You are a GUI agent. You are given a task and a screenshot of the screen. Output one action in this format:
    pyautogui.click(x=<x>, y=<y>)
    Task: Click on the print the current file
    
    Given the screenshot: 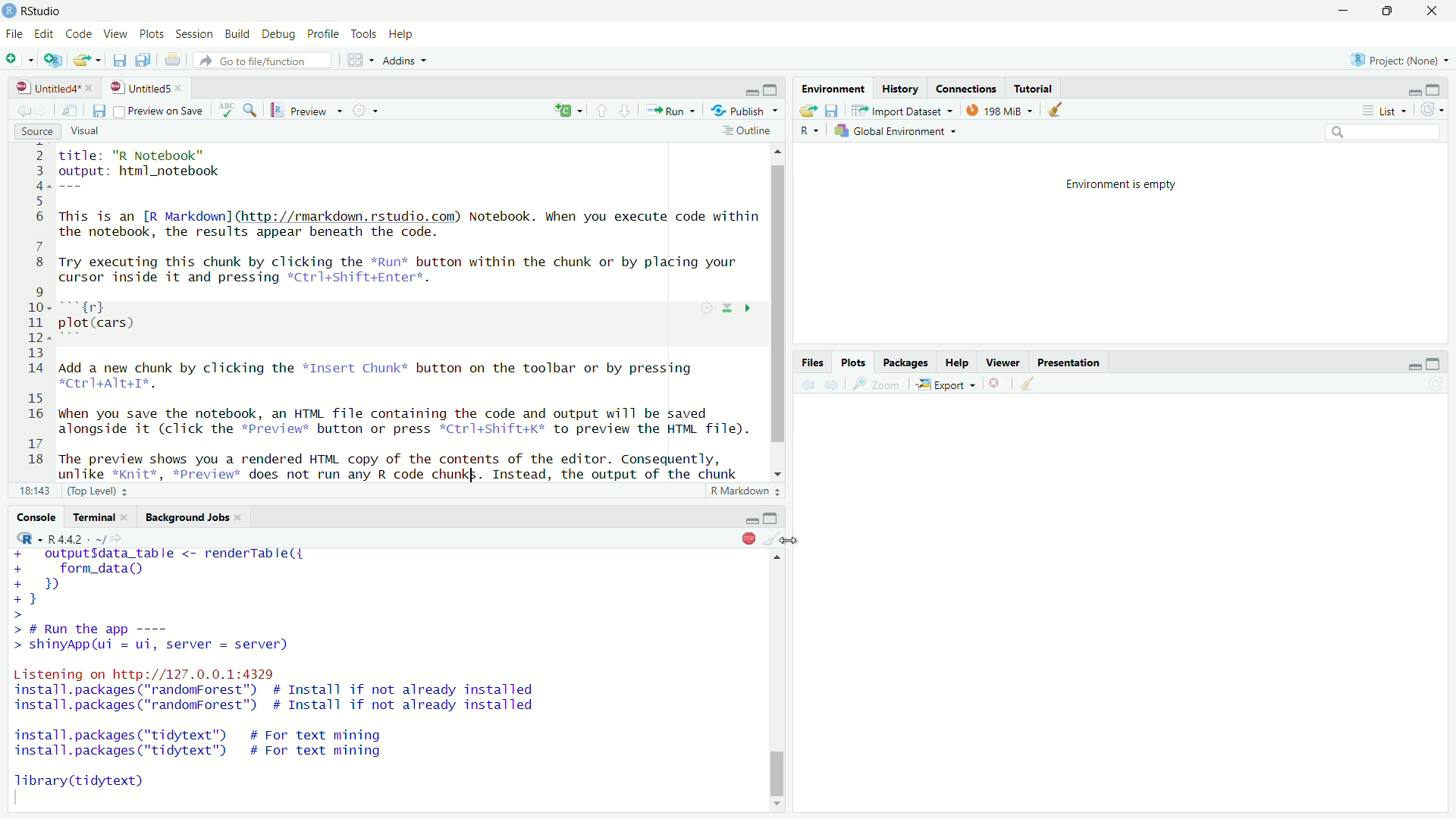 What is the action you would take?
    pyautogui.click(x=172, y=60)
    